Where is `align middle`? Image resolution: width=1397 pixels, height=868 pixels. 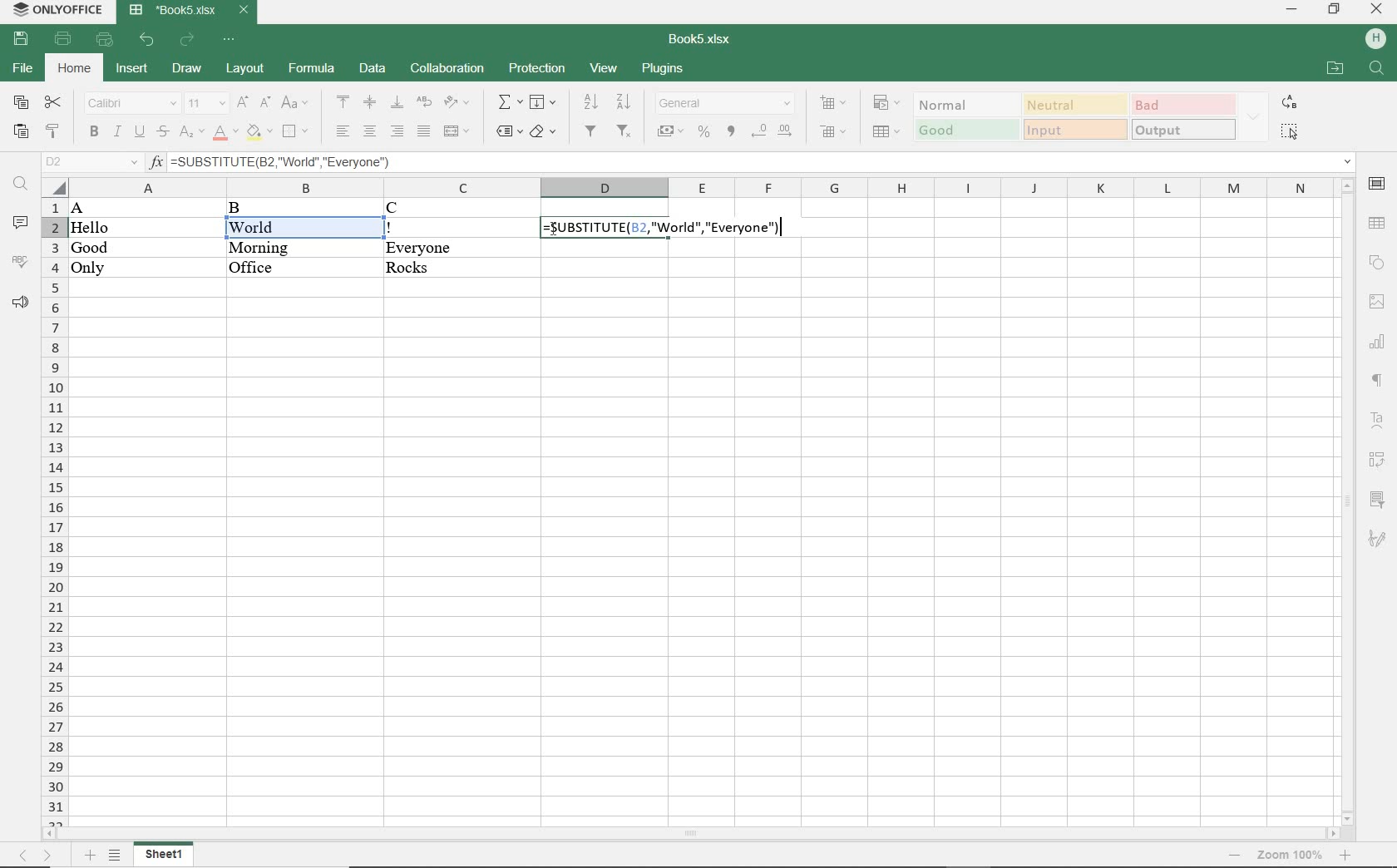
align middle is located at coordinates (370, 104).